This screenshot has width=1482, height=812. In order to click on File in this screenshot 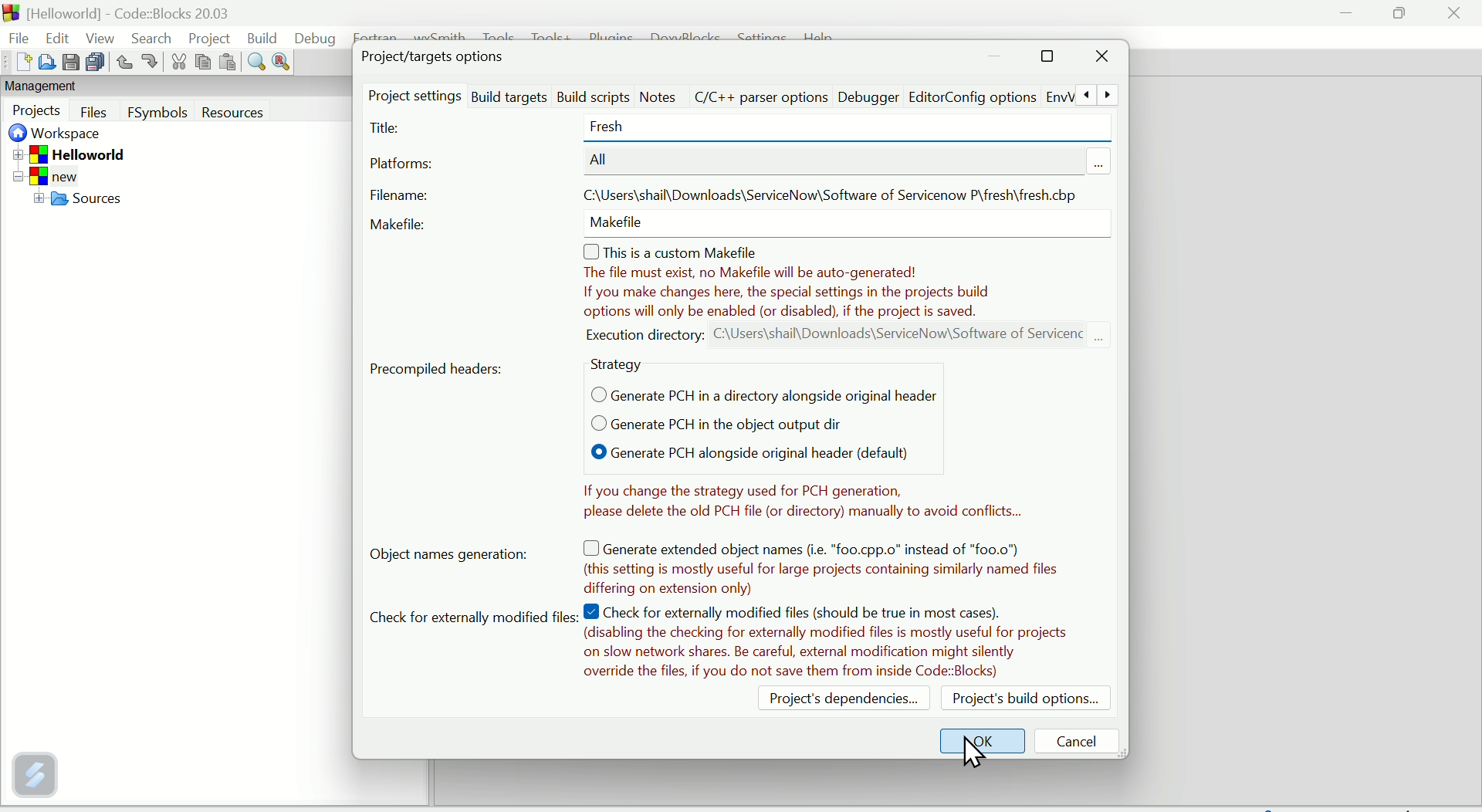, I will do `click(16, 36)`.